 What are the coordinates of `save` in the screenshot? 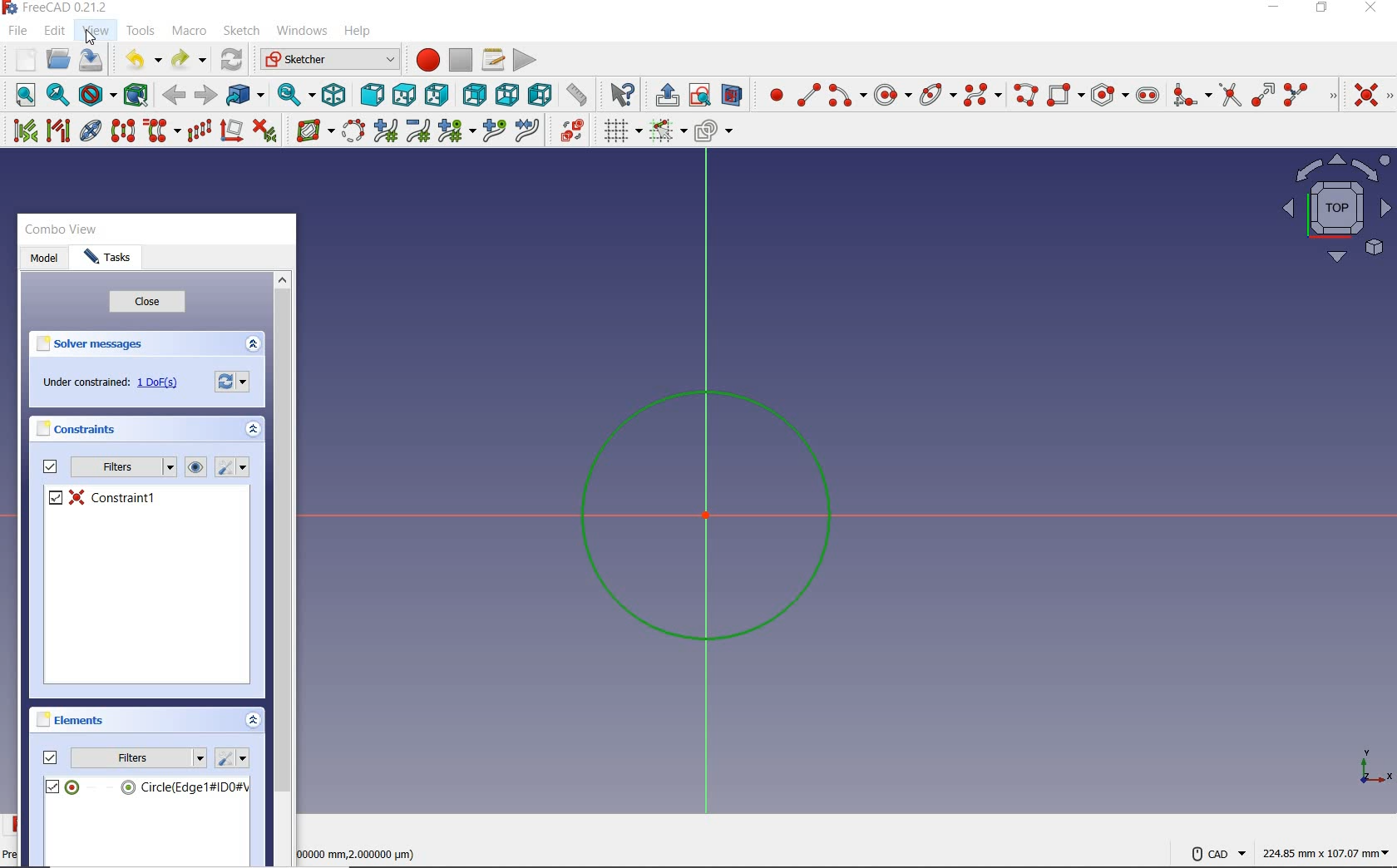 It's located at (90, 60).